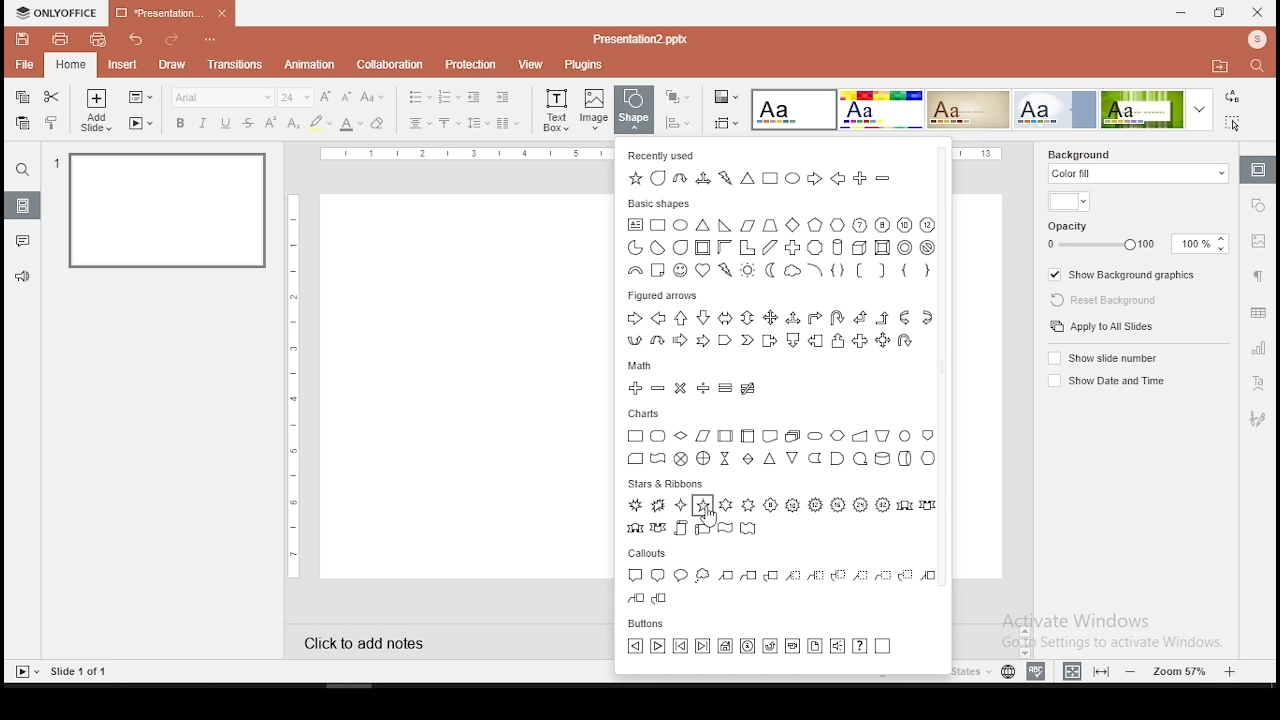 The width and height of the screenshot is (1280, 720). I want to click on zoom level, so click(1182, 670).